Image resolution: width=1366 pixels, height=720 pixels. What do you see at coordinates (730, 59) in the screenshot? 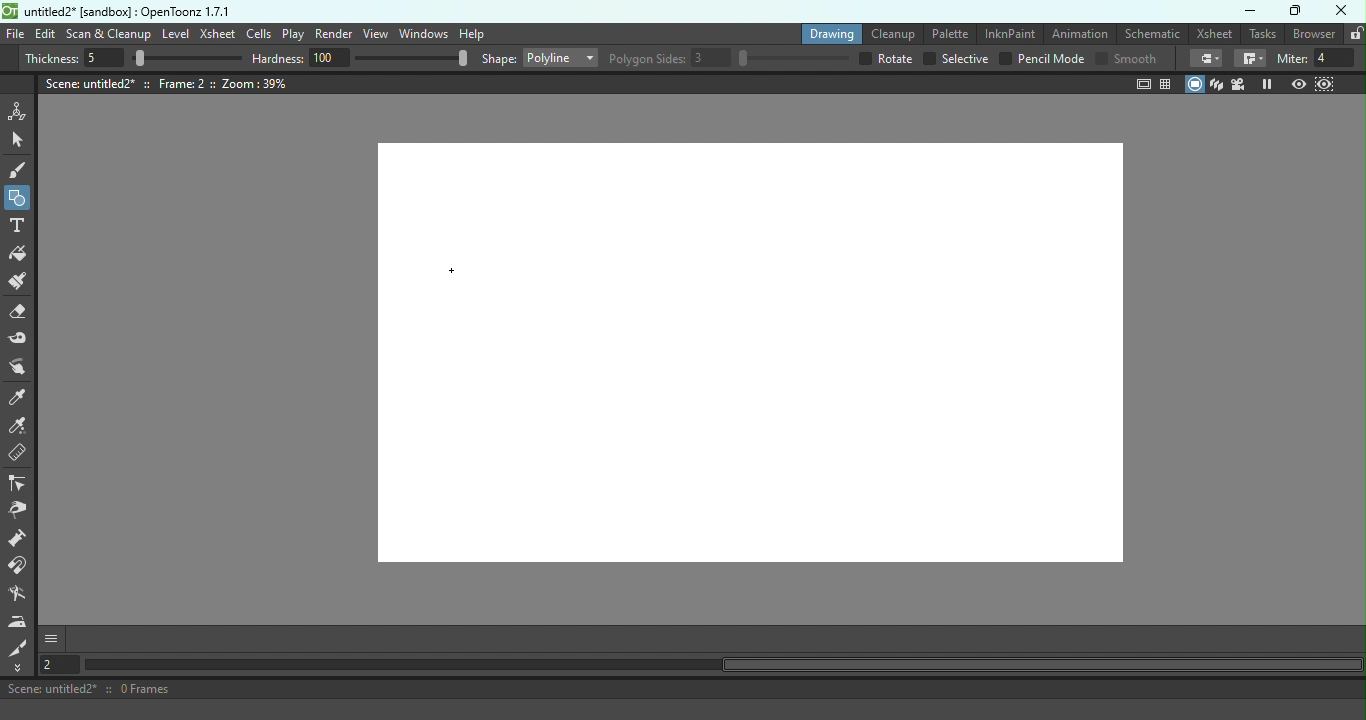
I see `Polygon Sides` at bounding box center [730, 59].